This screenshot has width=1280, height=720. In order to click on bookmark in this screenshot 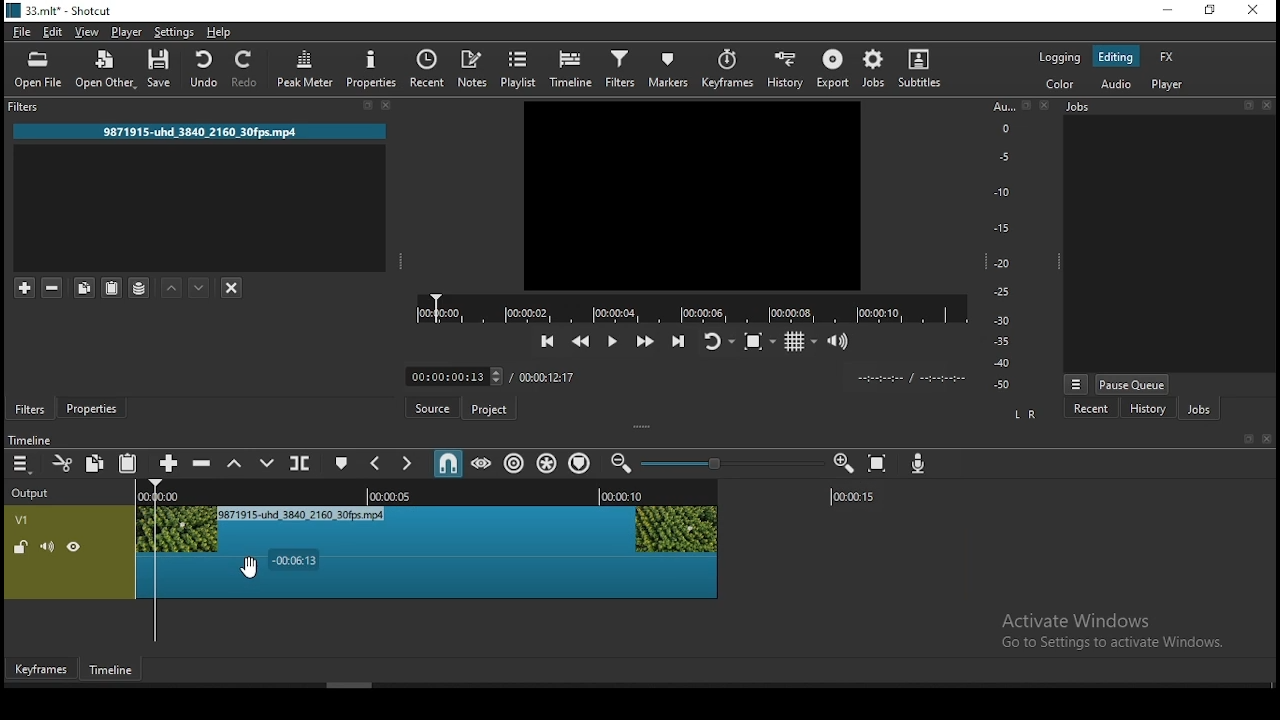, I will do `click(363, 104)`.